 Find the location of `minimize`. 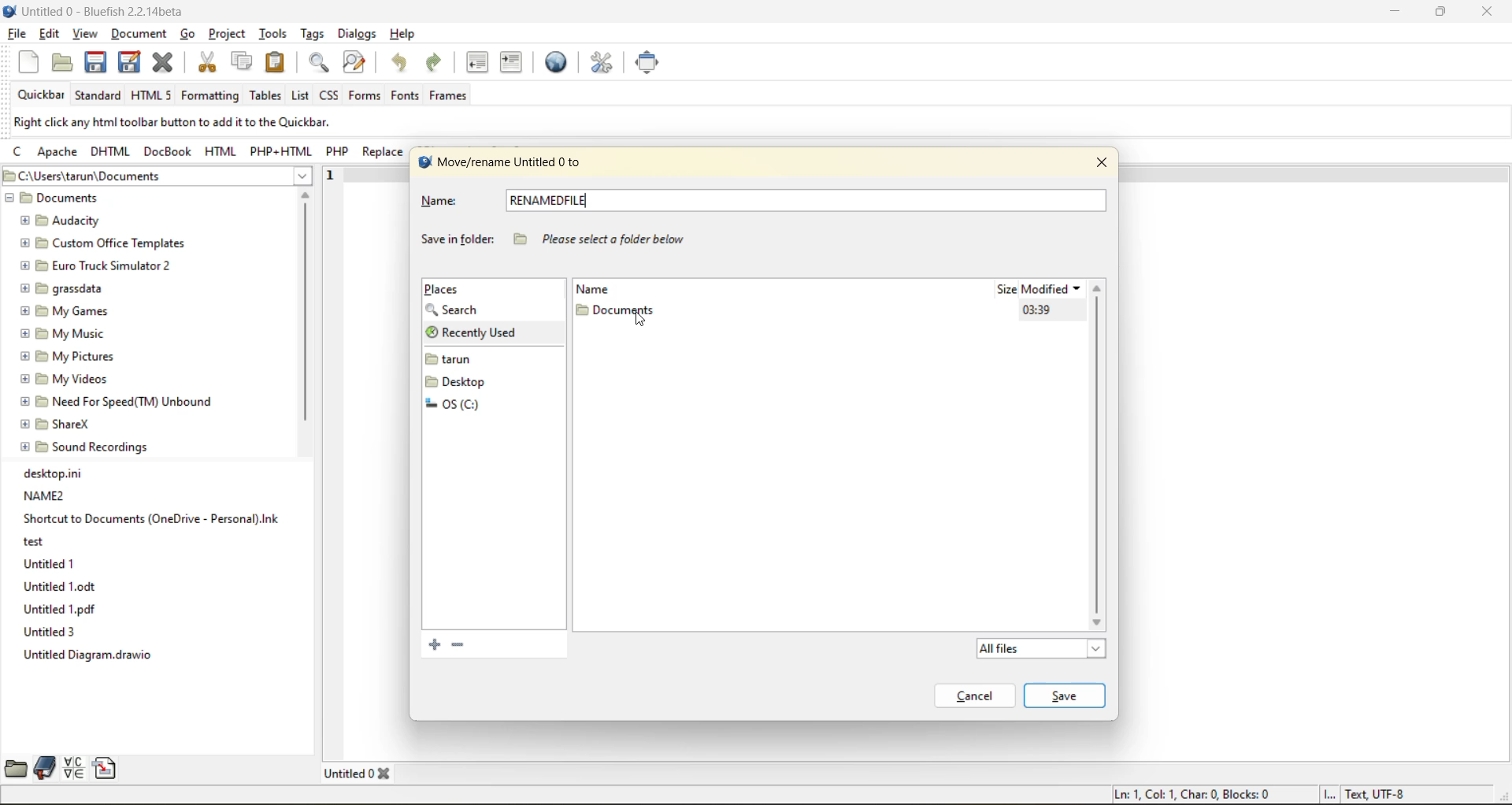

minimize is located at coordinates (1399, 9).